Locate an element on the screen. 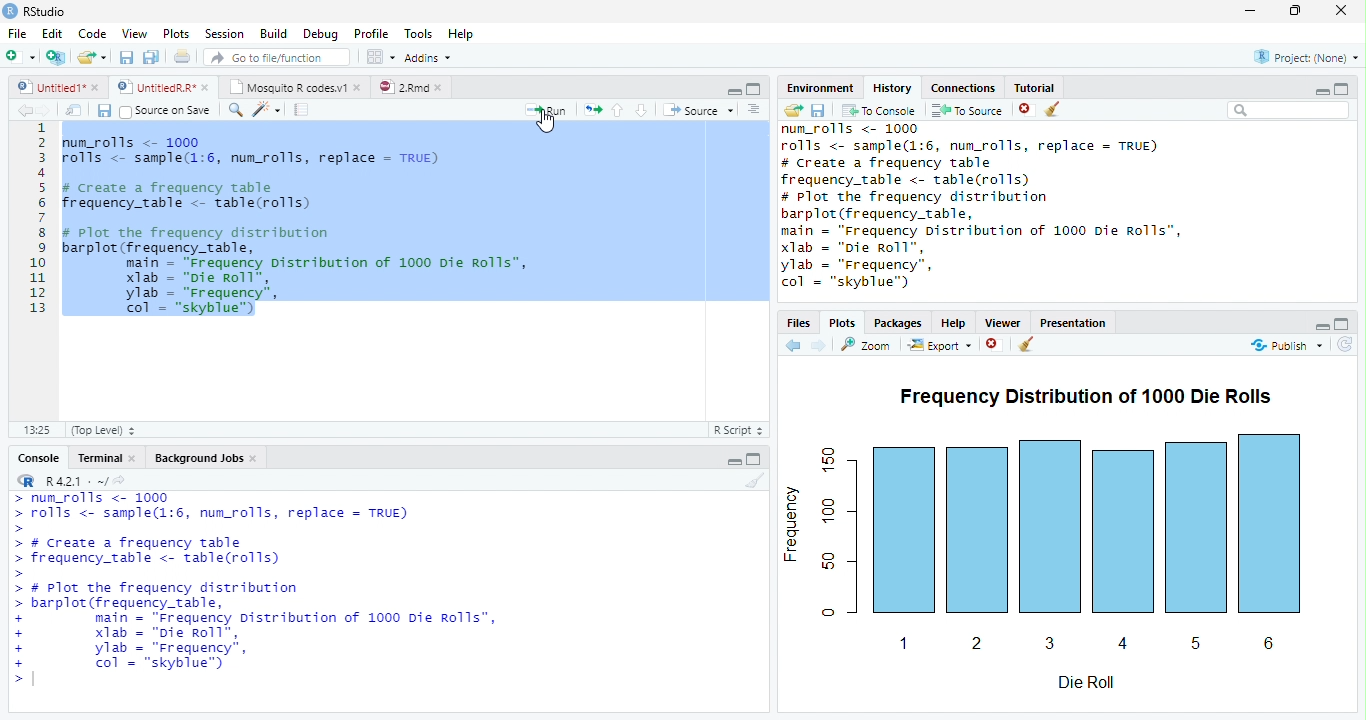  Re run previous code region is located at coordinates (591, 111).